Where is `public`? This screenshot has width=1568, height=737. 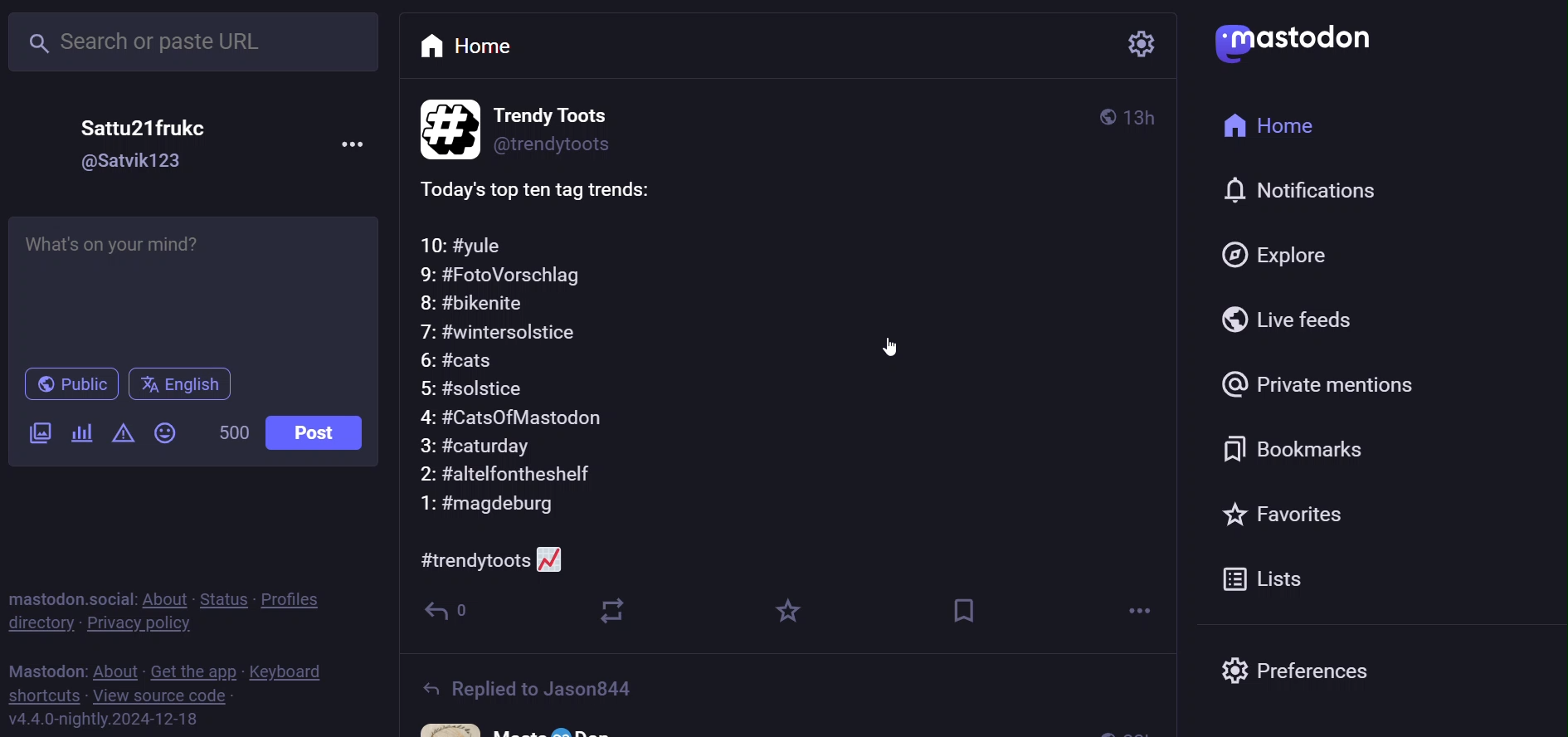 public is located at coordinates (75, 382).